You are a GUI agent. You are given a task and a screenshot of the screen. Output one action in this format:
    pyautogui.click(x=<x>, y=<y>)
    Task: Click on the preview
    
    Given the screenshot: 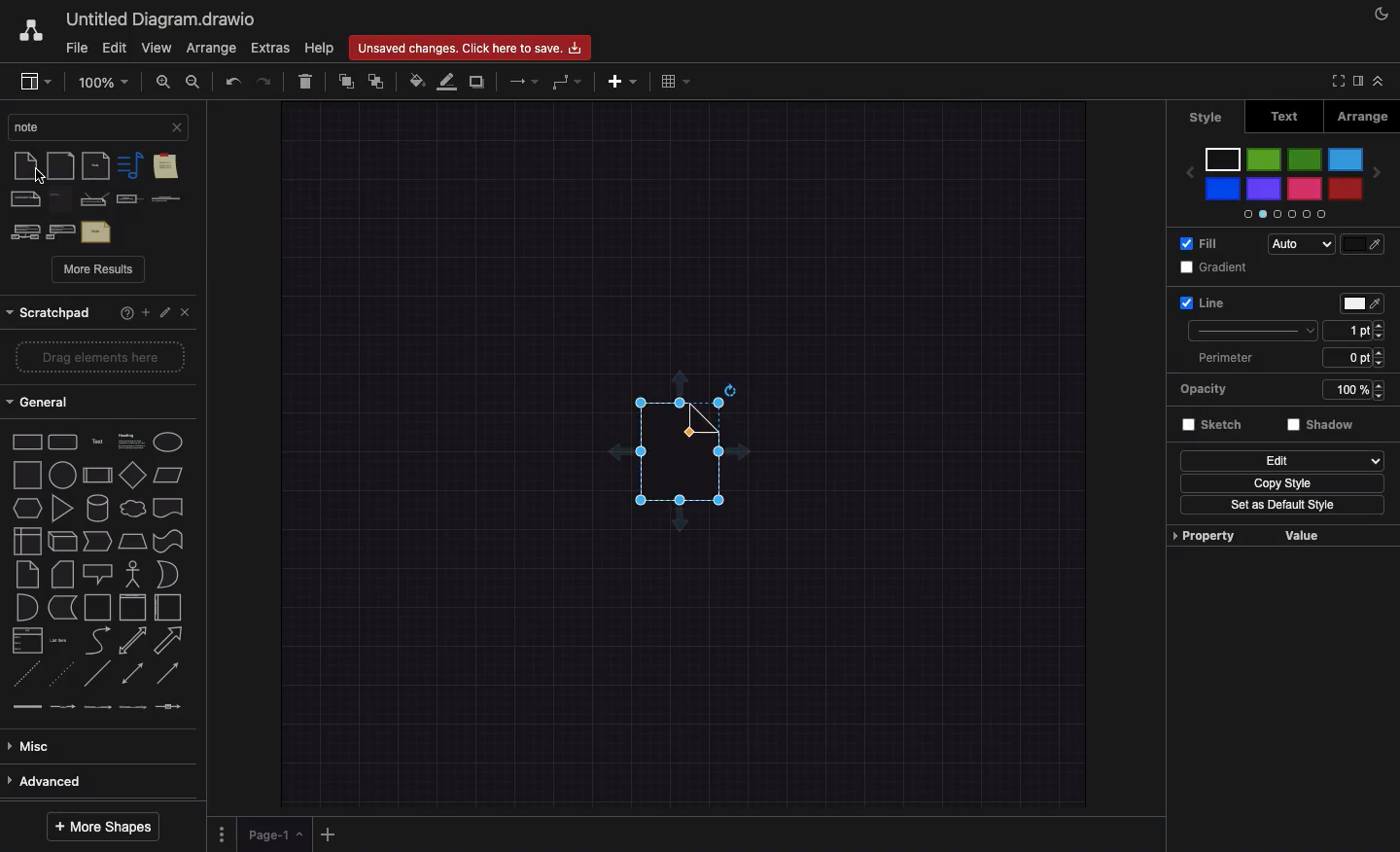 What is the action you would take?
    pyautogui.click(x=1188, y=172)
    